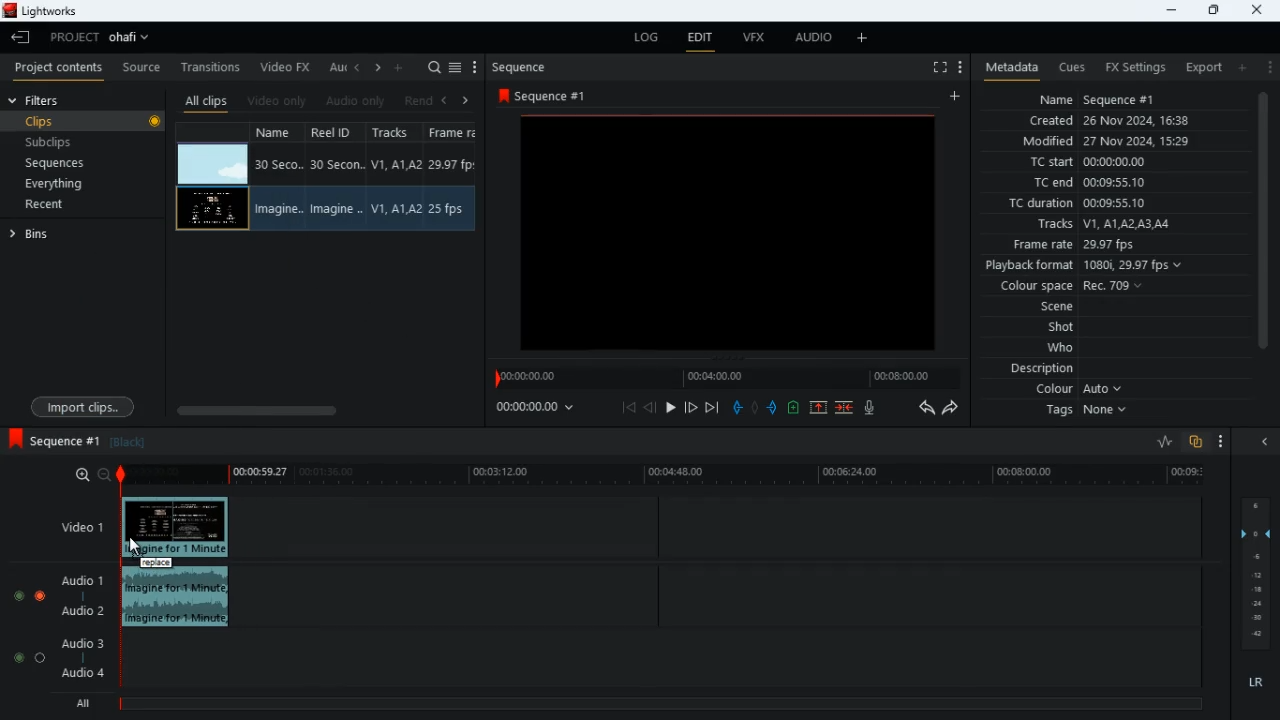 Image resolution: width=1280 pixels, height=720 pixels. Describe the element at coordinates (86, 122) in the screenshot. I see `clips` at that location.